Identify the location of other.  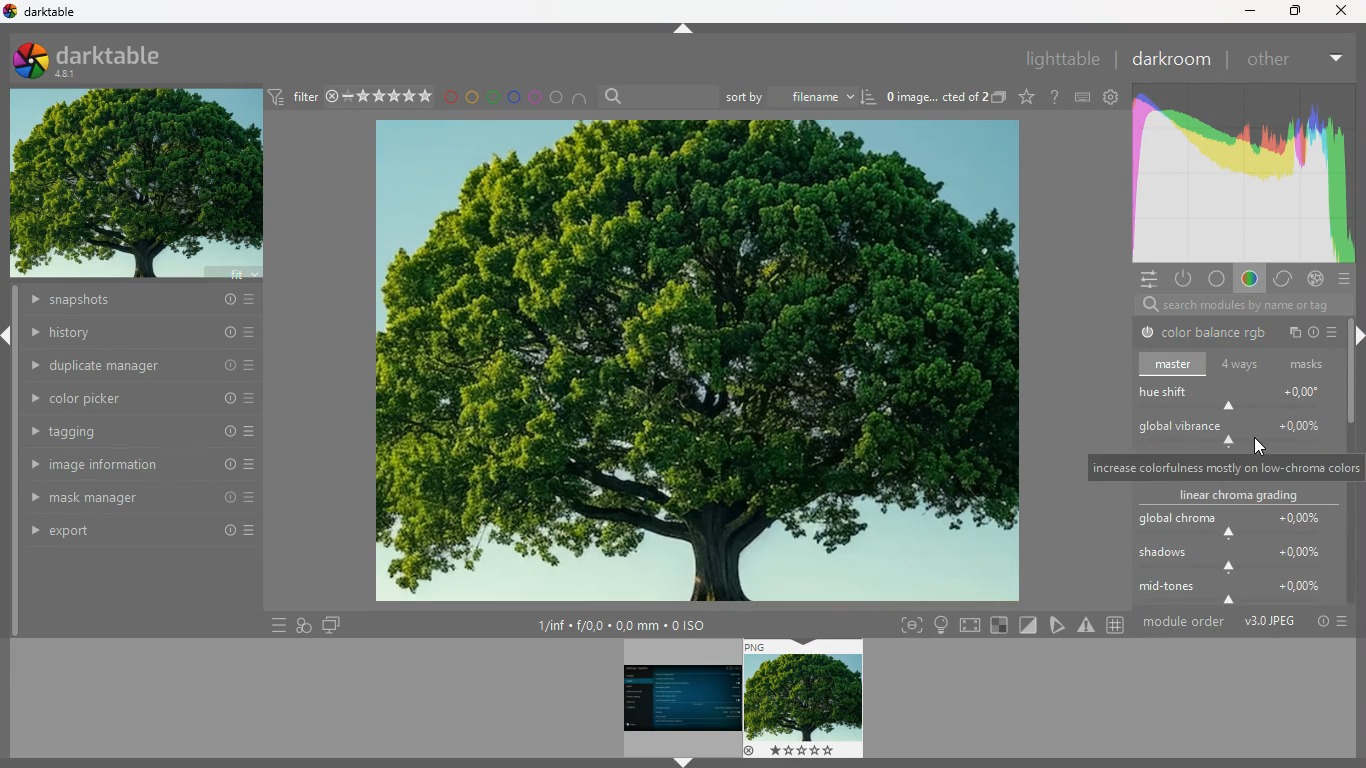
(1267, 60).